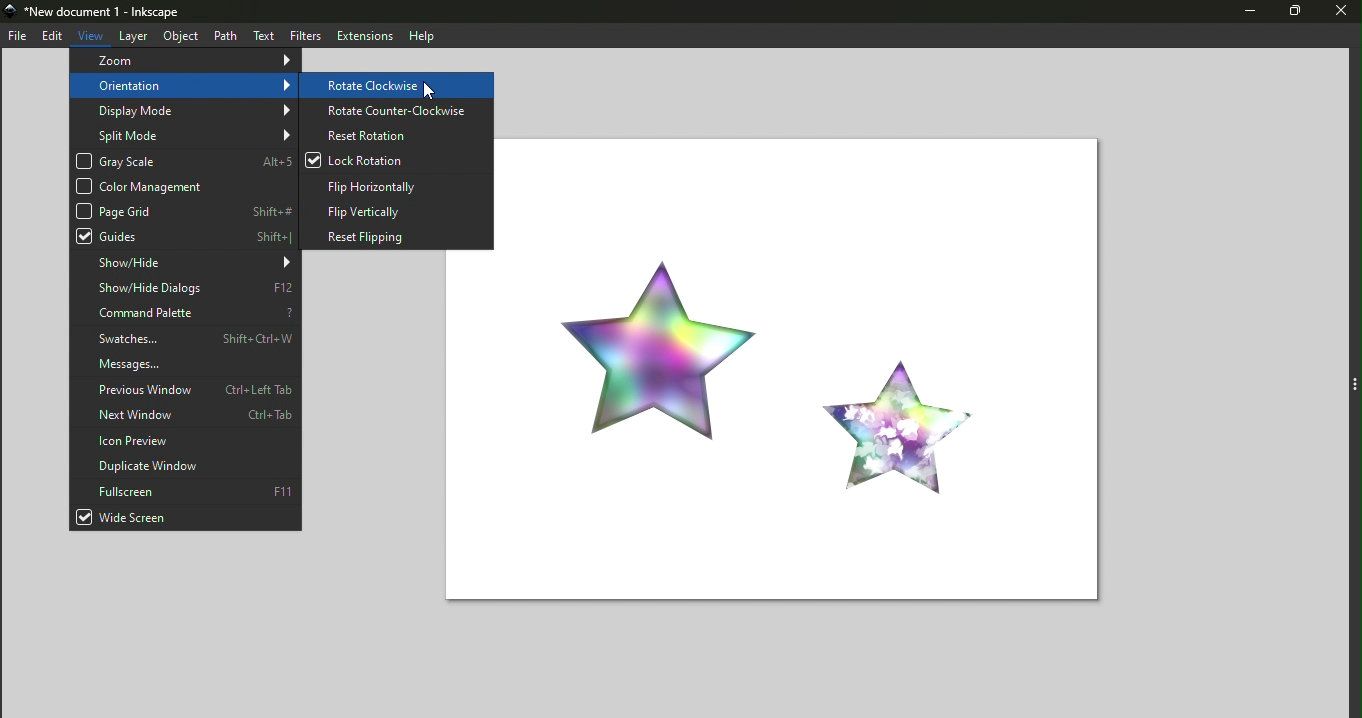 This screenshot has height=718, width=1362. Describe the element at coordinates (396, 110) in the screenshot. I see `Rotate counter-clockwise` at that location.